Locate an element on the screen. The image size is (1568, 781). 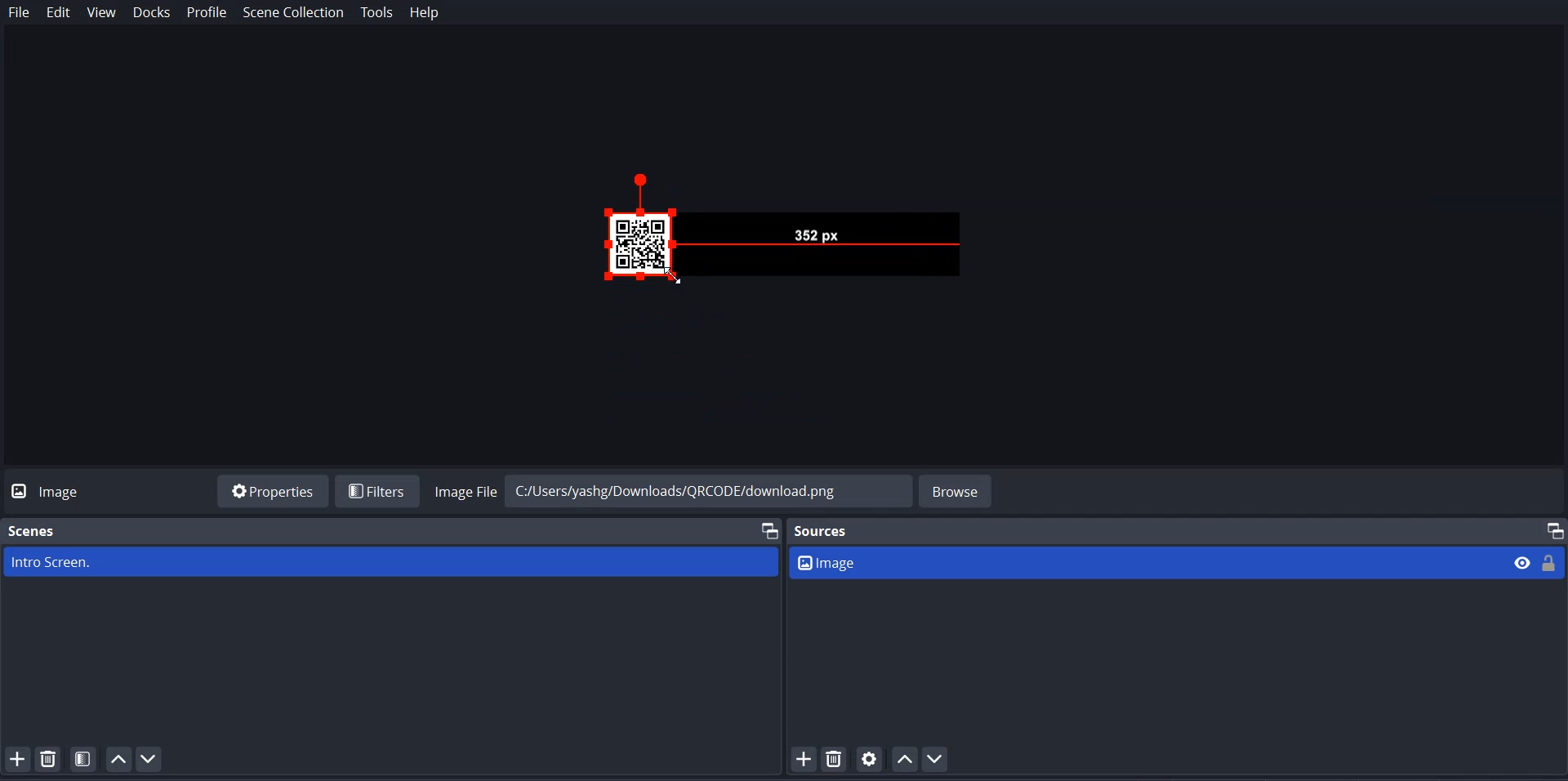
Remove Selected Source is located at coordinates (835, 759).